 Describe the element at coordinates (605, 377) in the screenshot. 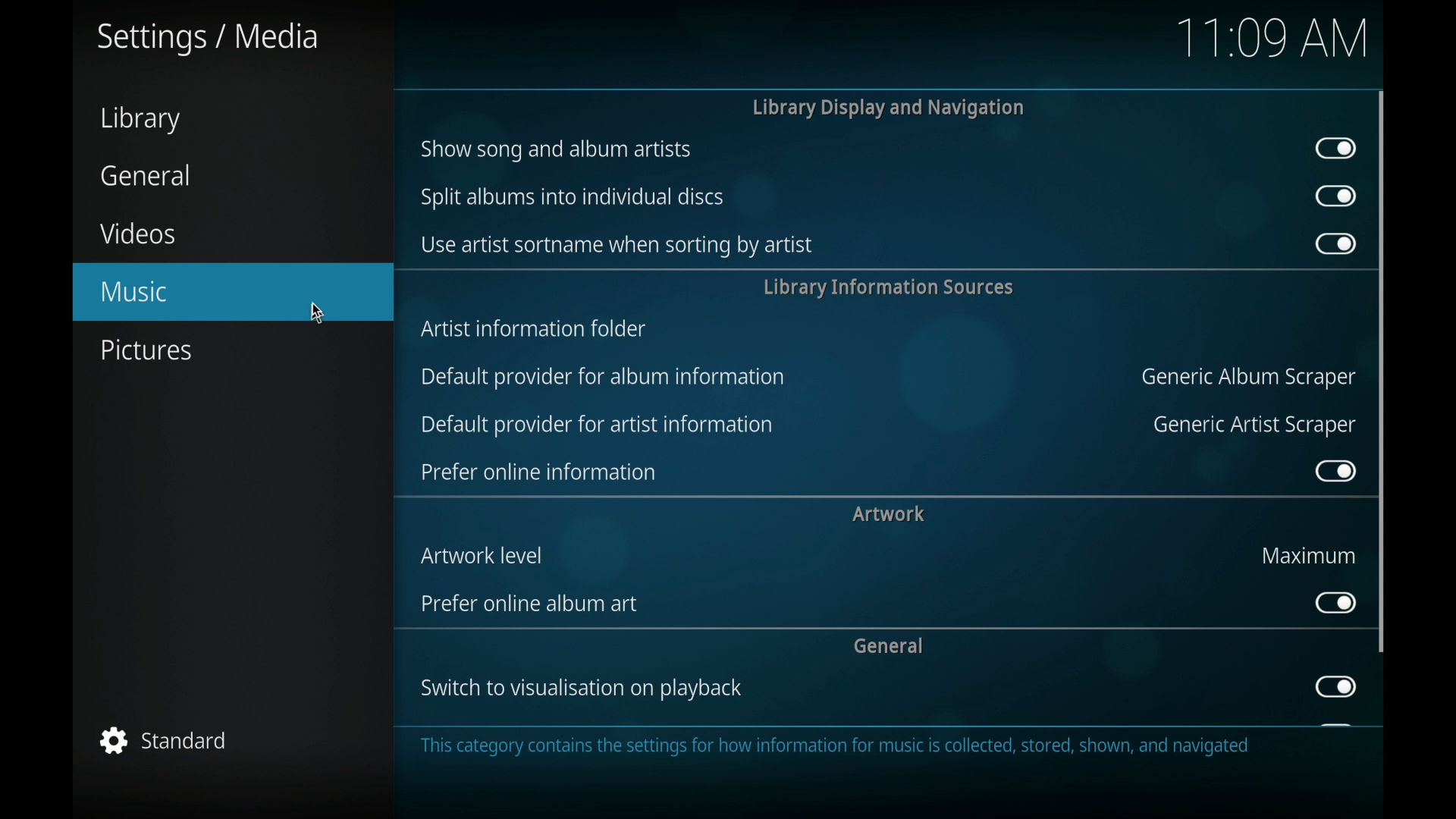

I see `default provider for album information` at that location.